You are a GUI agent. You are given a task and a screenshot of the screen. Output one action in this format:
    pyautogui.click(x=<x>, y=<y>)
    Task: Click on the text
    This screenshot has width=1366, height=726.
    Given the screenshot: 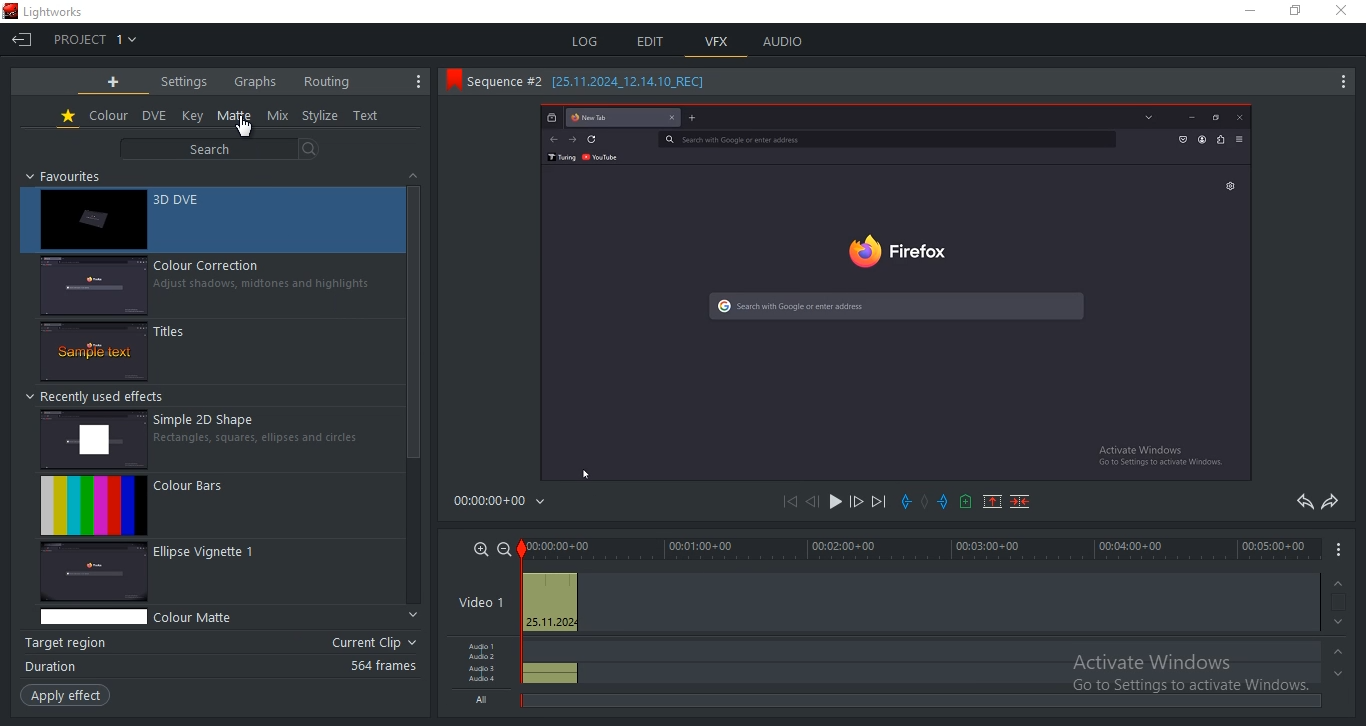 What is the action you would take?
    pyautogui.click(x=367, y=117)
    